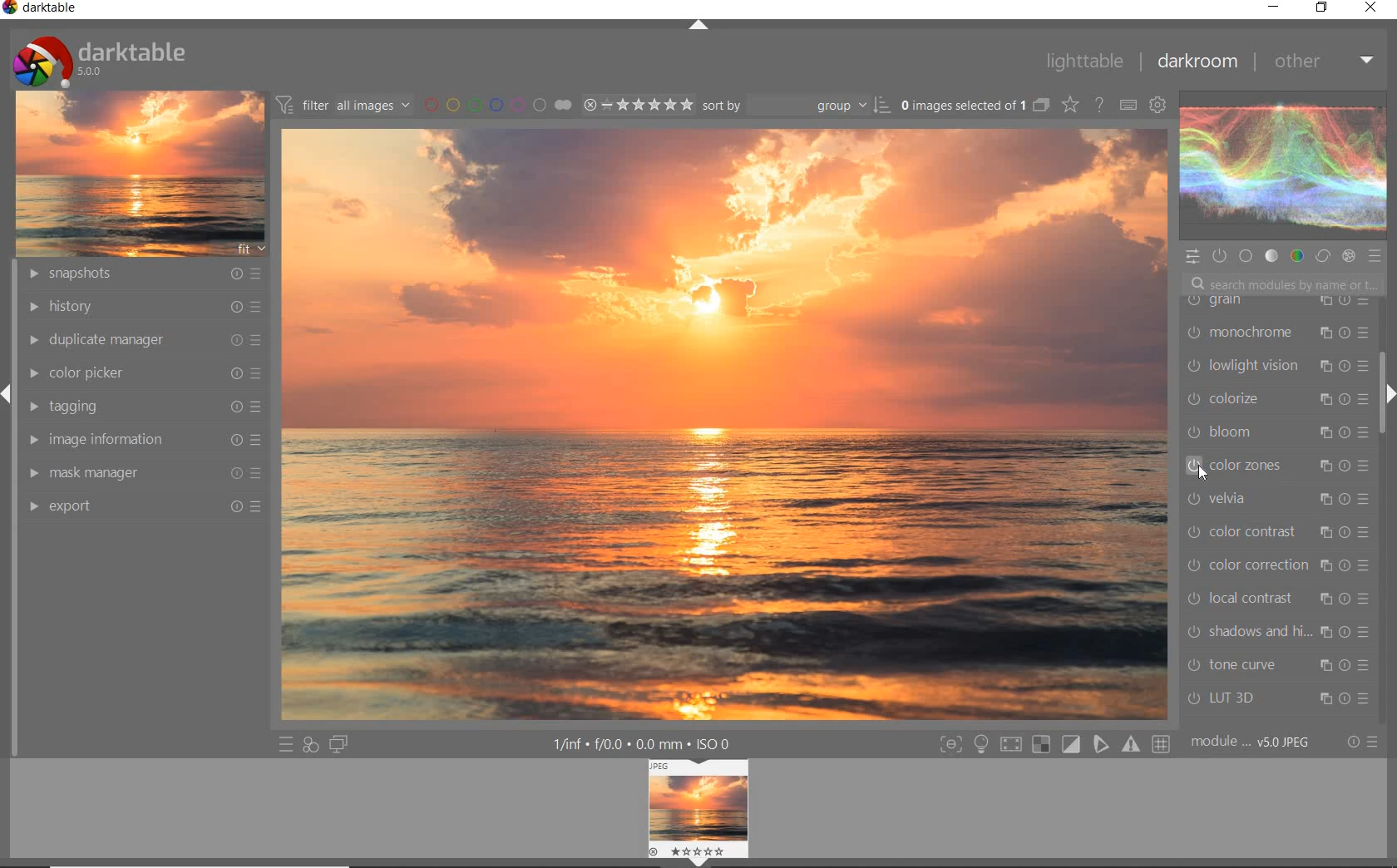 The height and width of the screenshot is (868, 1397). I want to click on minimize, so click(1276, 6).